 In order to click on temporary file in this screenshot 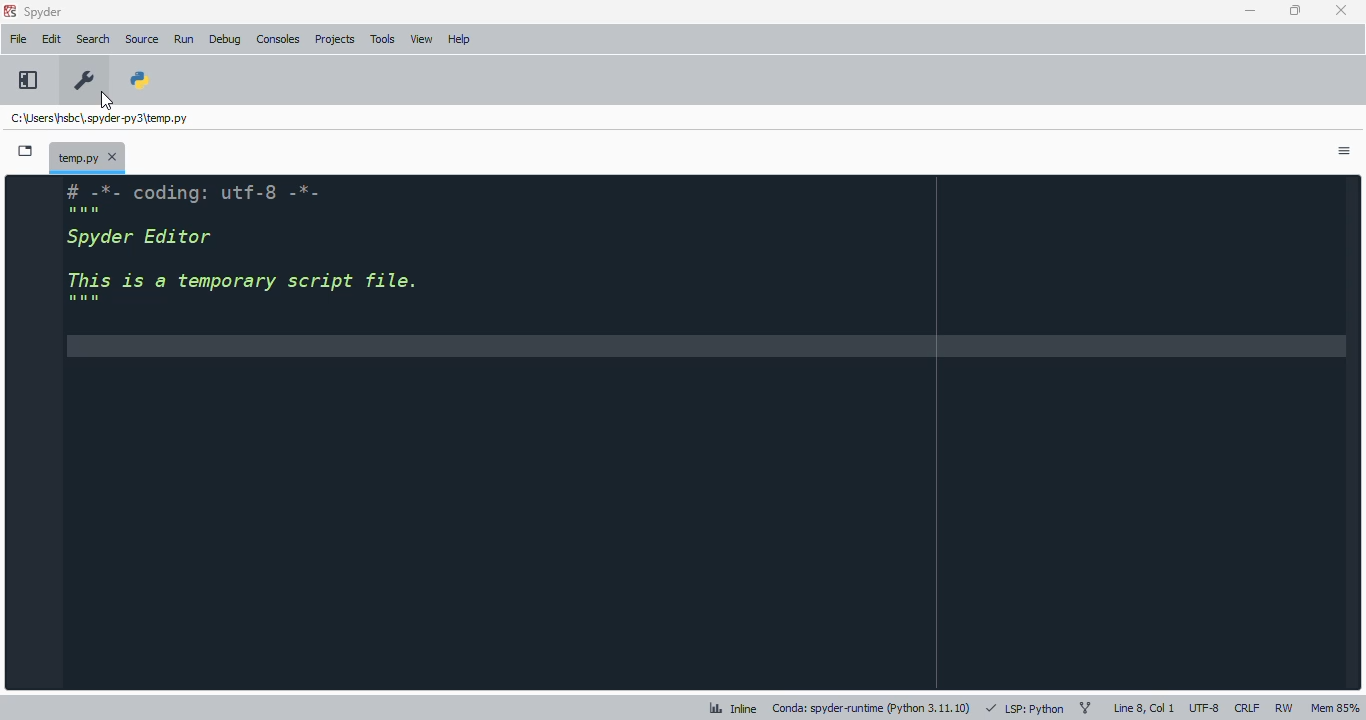, I will do `click(98, 118)`.